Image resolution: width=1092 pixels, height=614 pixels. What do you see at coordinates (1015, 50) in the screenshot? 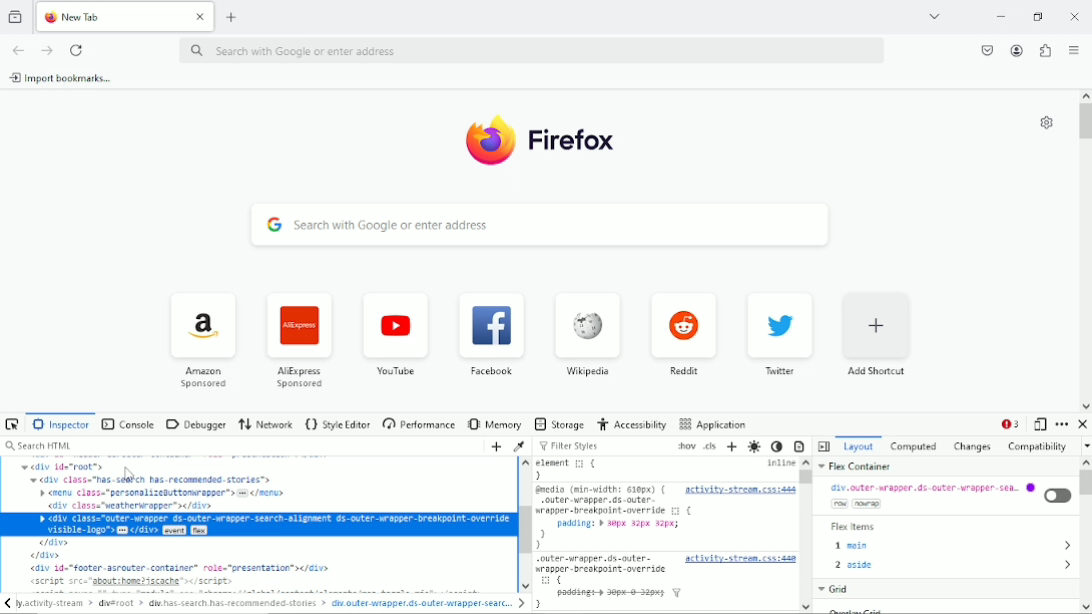
I see `Account` at bounding box center [1015, 50].